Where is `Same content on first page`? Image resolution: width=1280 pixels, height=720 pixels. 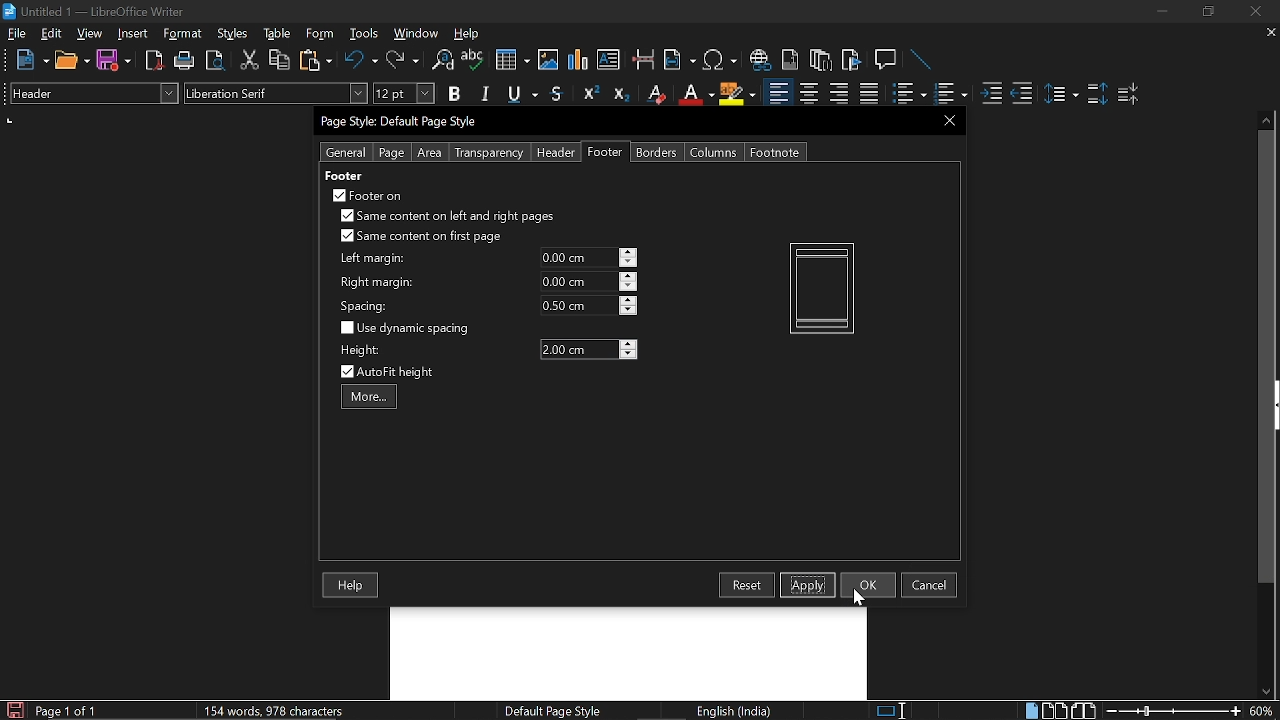 Same content on first page is located at coordinates (422, 237).